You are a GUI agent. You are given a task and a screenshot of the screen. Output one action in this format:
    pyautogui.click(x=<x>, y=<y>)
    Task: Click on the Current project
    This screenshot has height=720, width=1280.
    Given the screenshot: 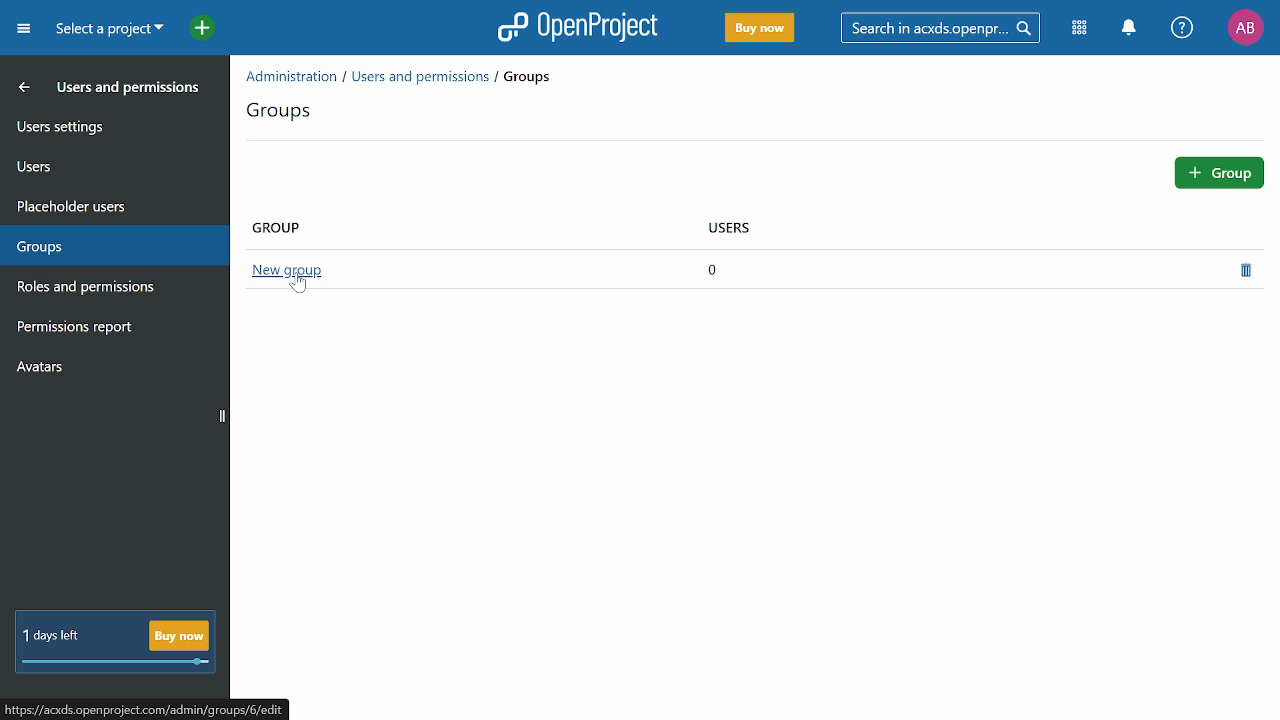 What is the action you would take?
    pyautogui.click(x=107, y=31)
    